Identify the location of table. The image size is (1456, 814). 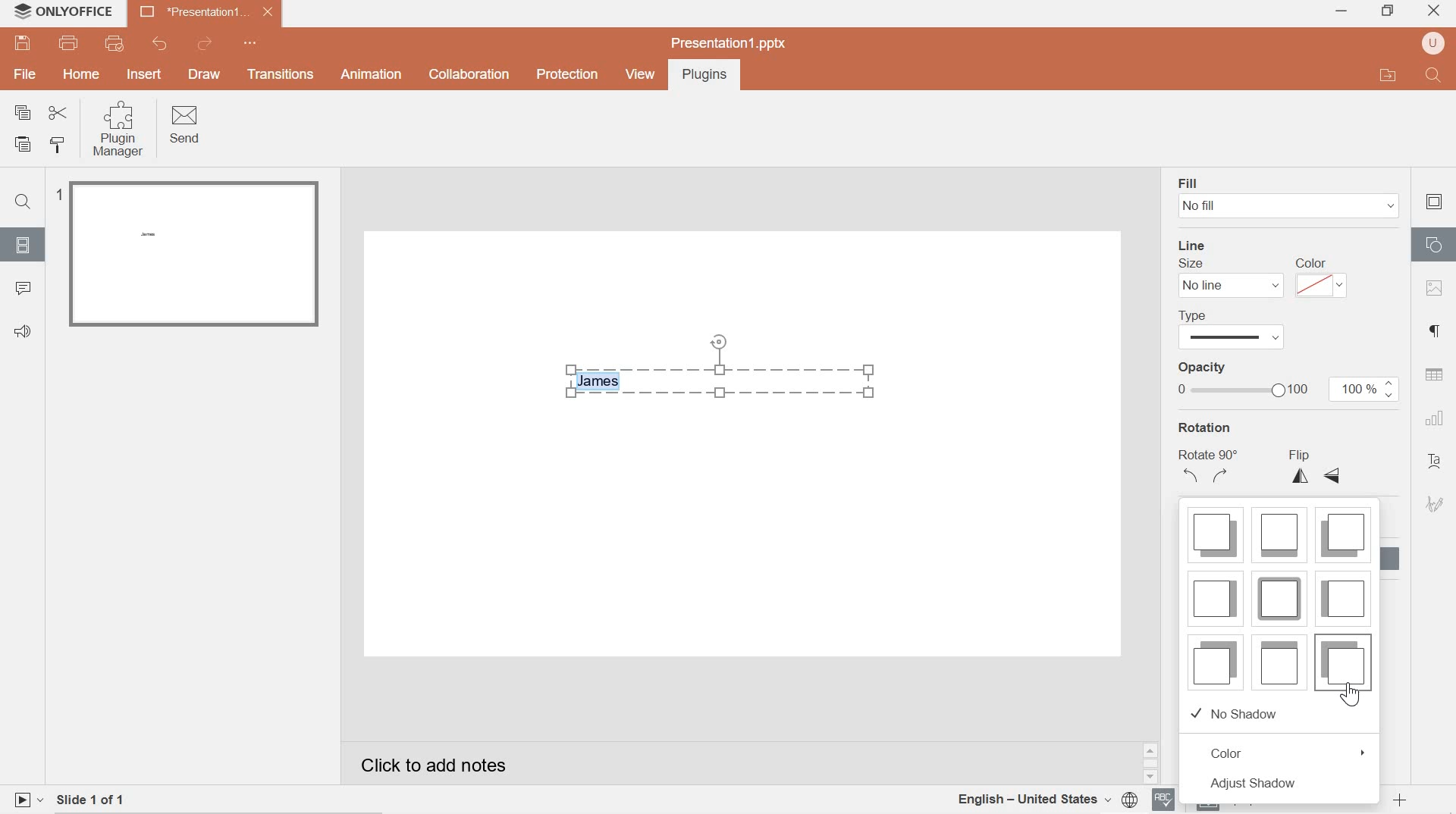
(1435, 374).